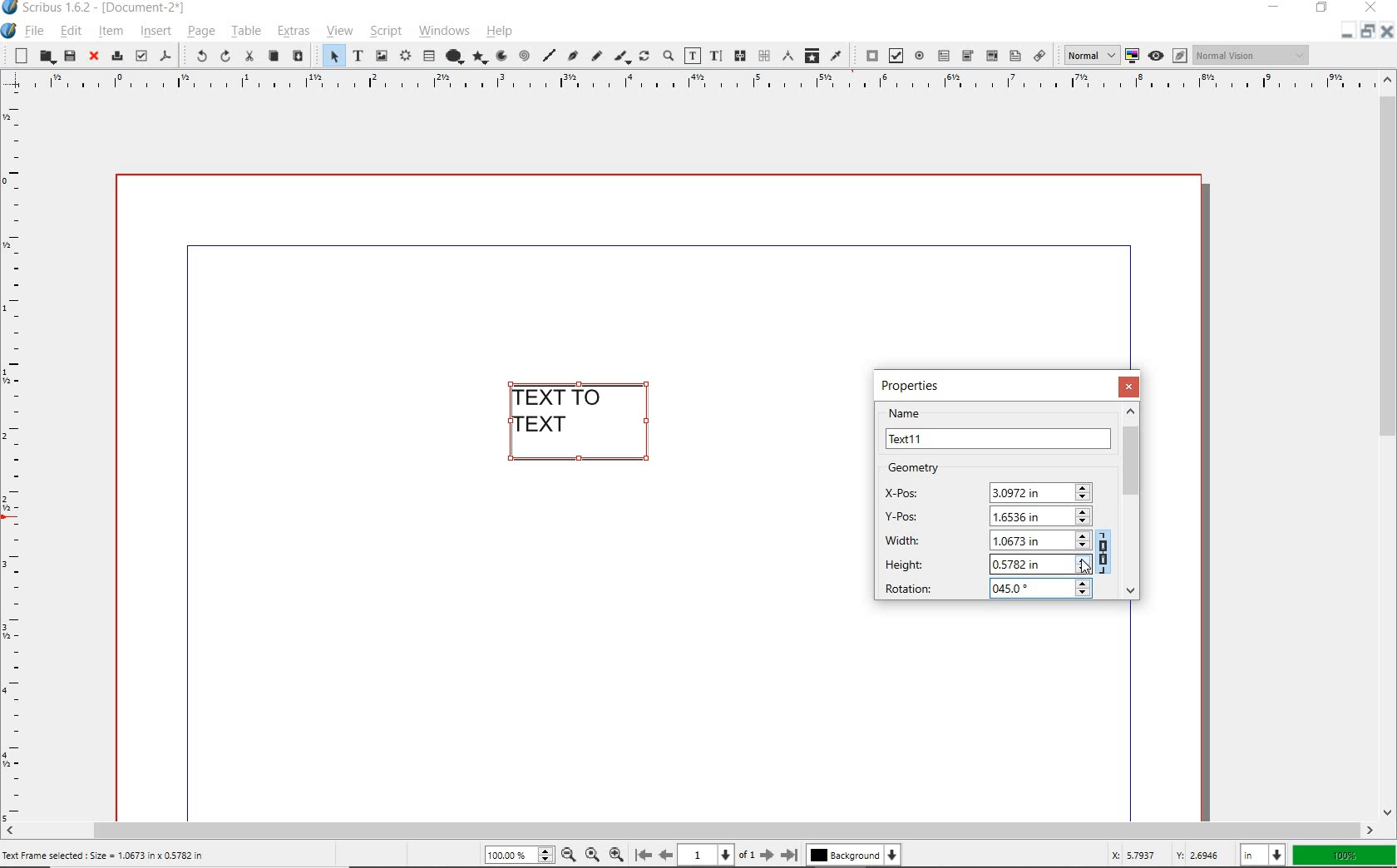  Describe the element at coordinates (838, 57) in the screenshot. I see `eye dropper` at that location.